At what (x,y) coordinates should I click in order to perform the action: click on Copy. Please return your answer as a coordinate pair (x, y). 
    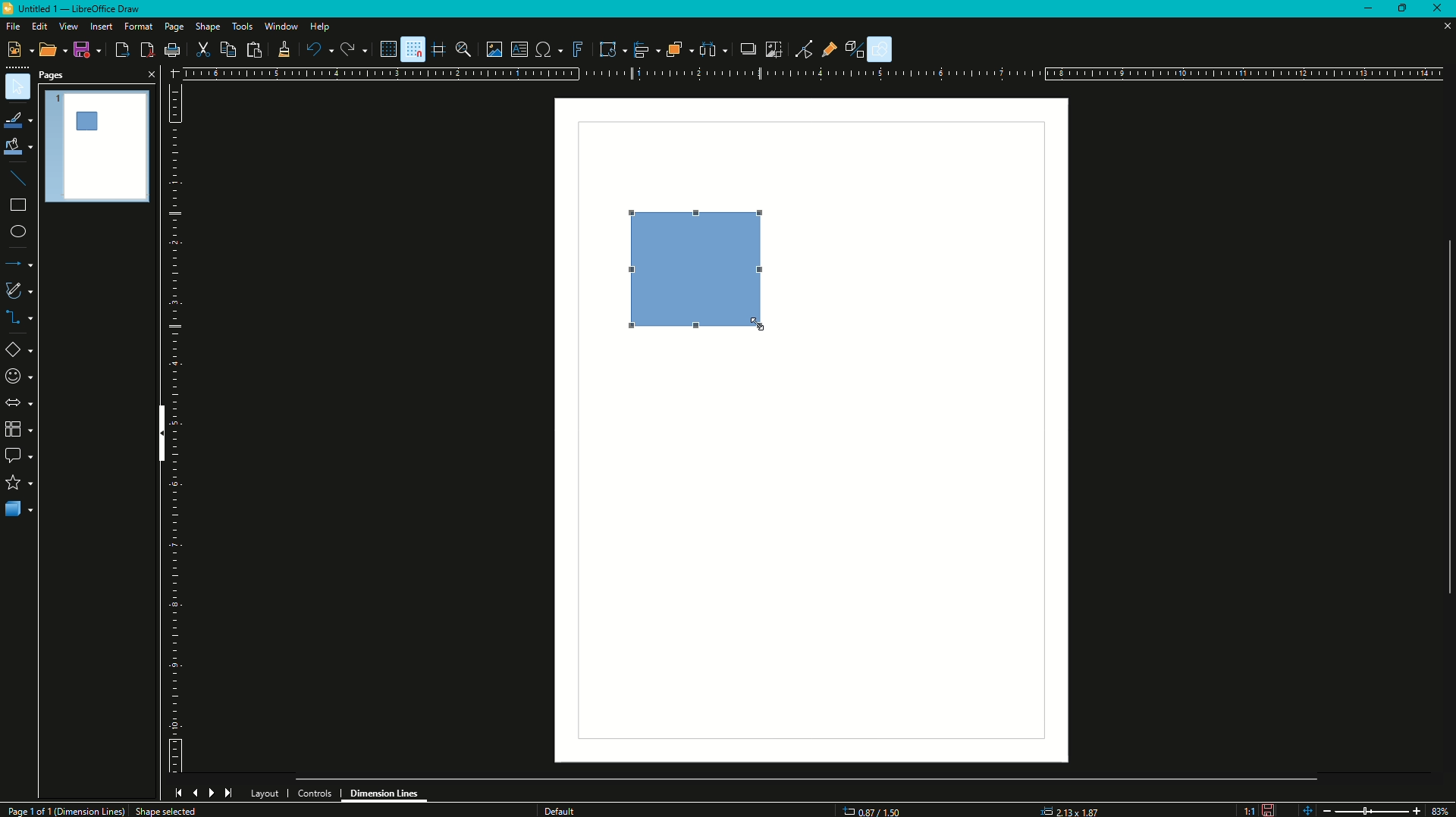
    Looking at the image, I should click on (226, 50).